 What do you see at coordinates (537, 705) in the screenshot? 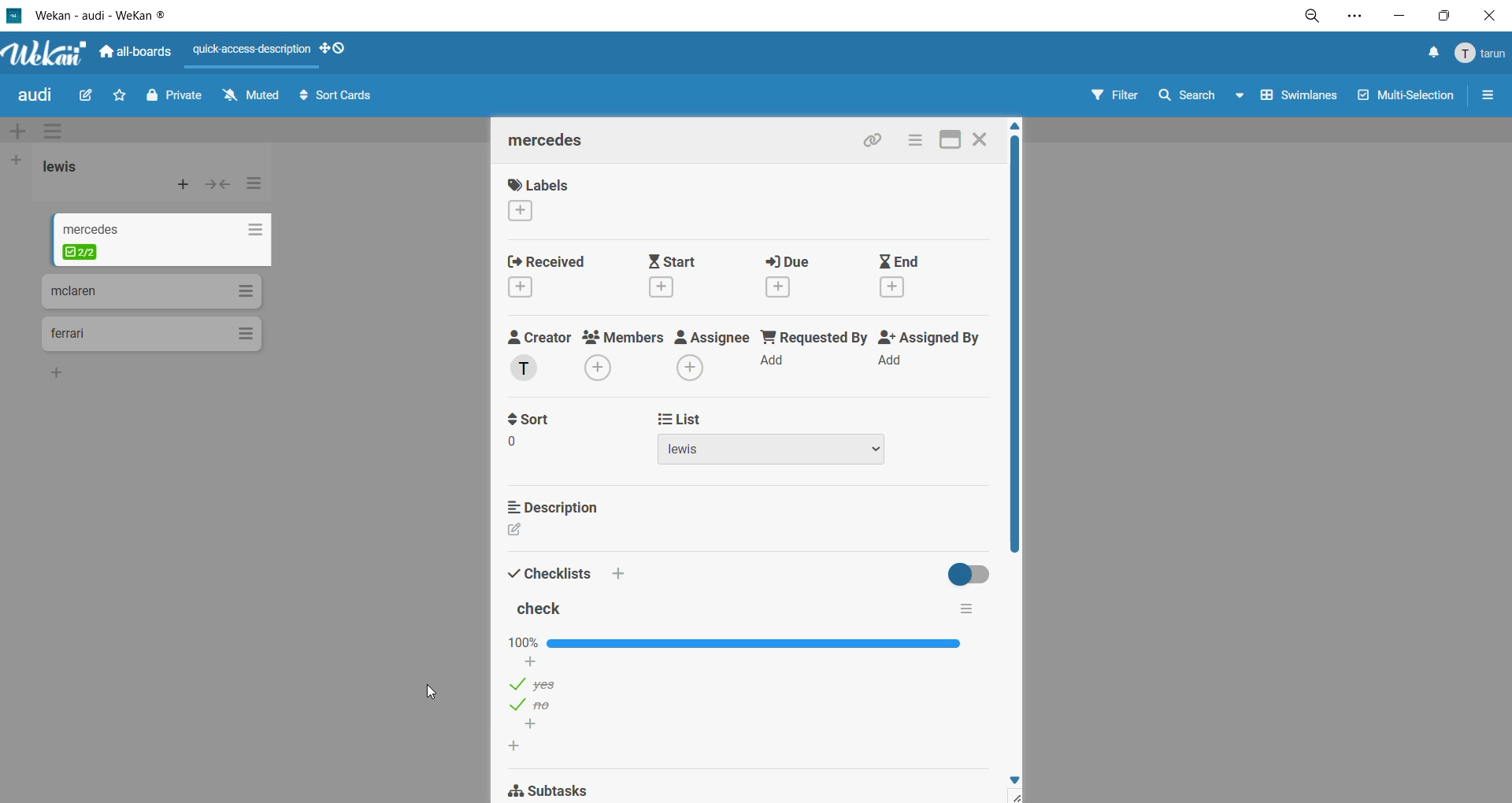
I see `no` at bounding box center [537, 705].